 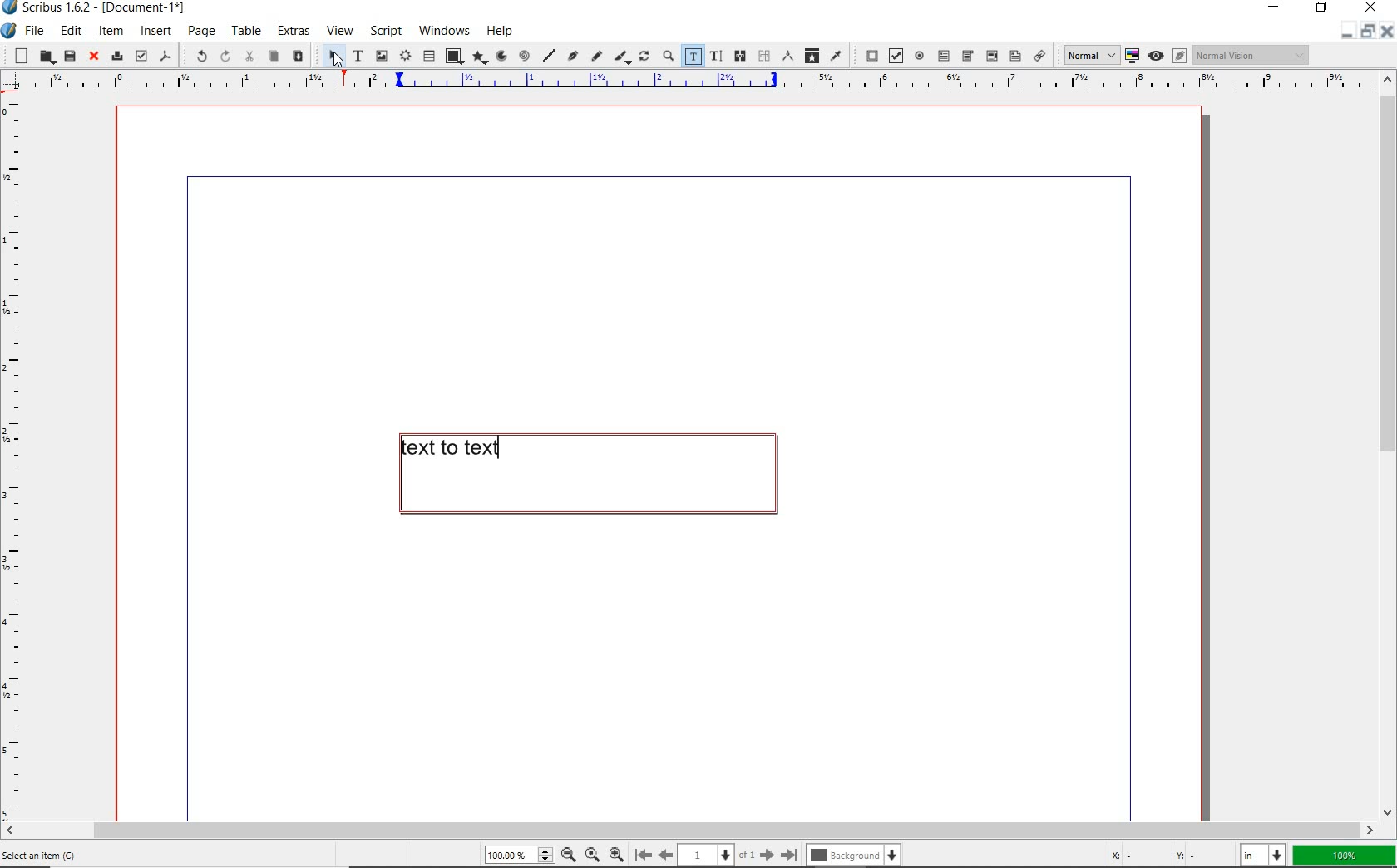 What do you see at coordinates (1014, 57) in the screenshot?
I see `Text annotation` at bounding box center [1014, 57].